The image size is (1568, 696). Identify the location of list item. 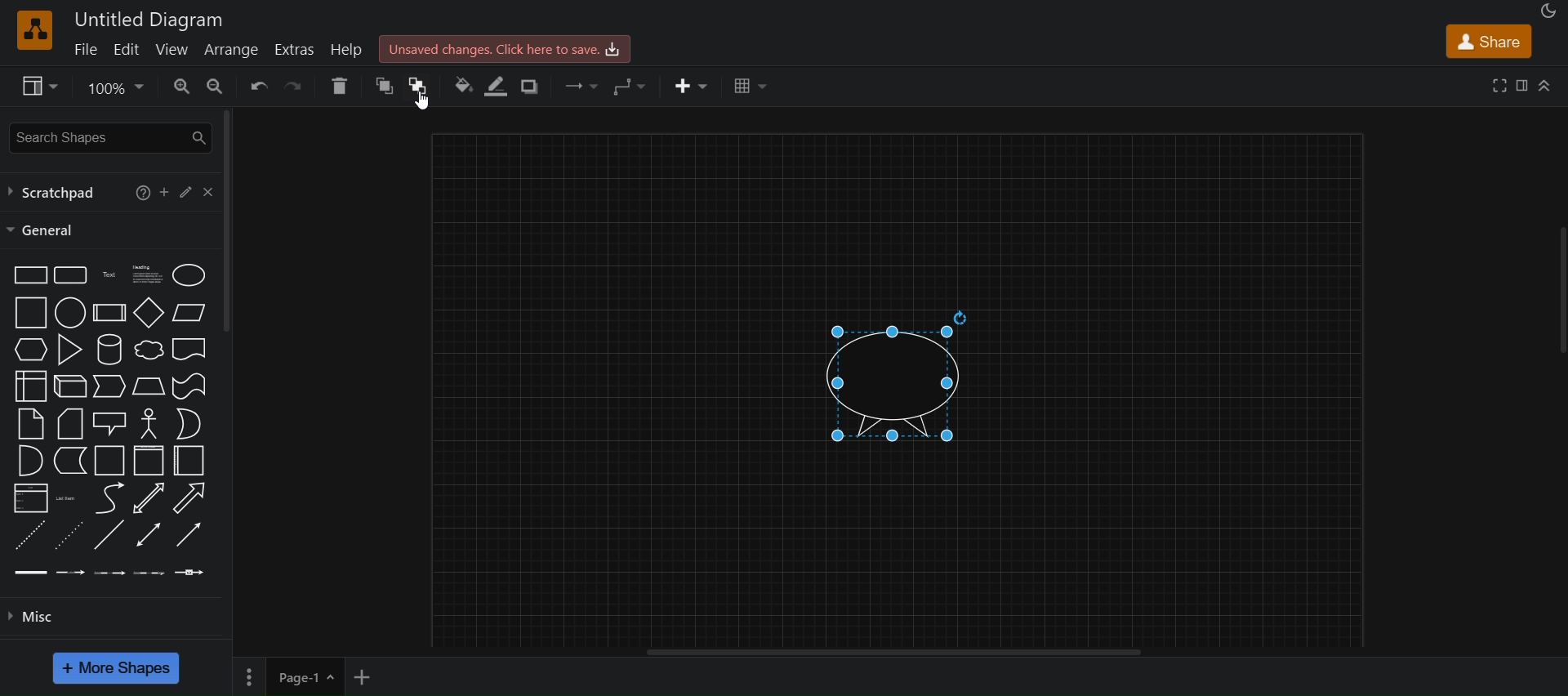
(67, 498).